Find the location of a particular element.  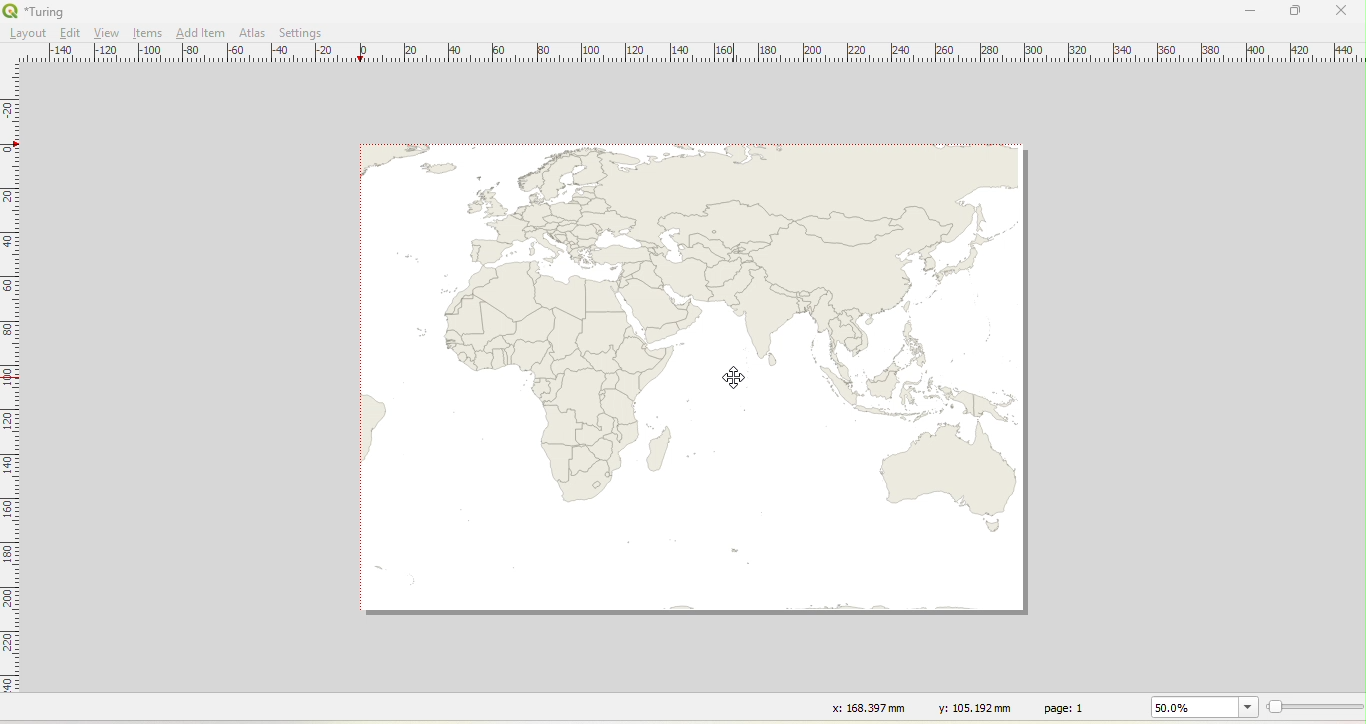

Minimize is located at coordinates (1250, 9).